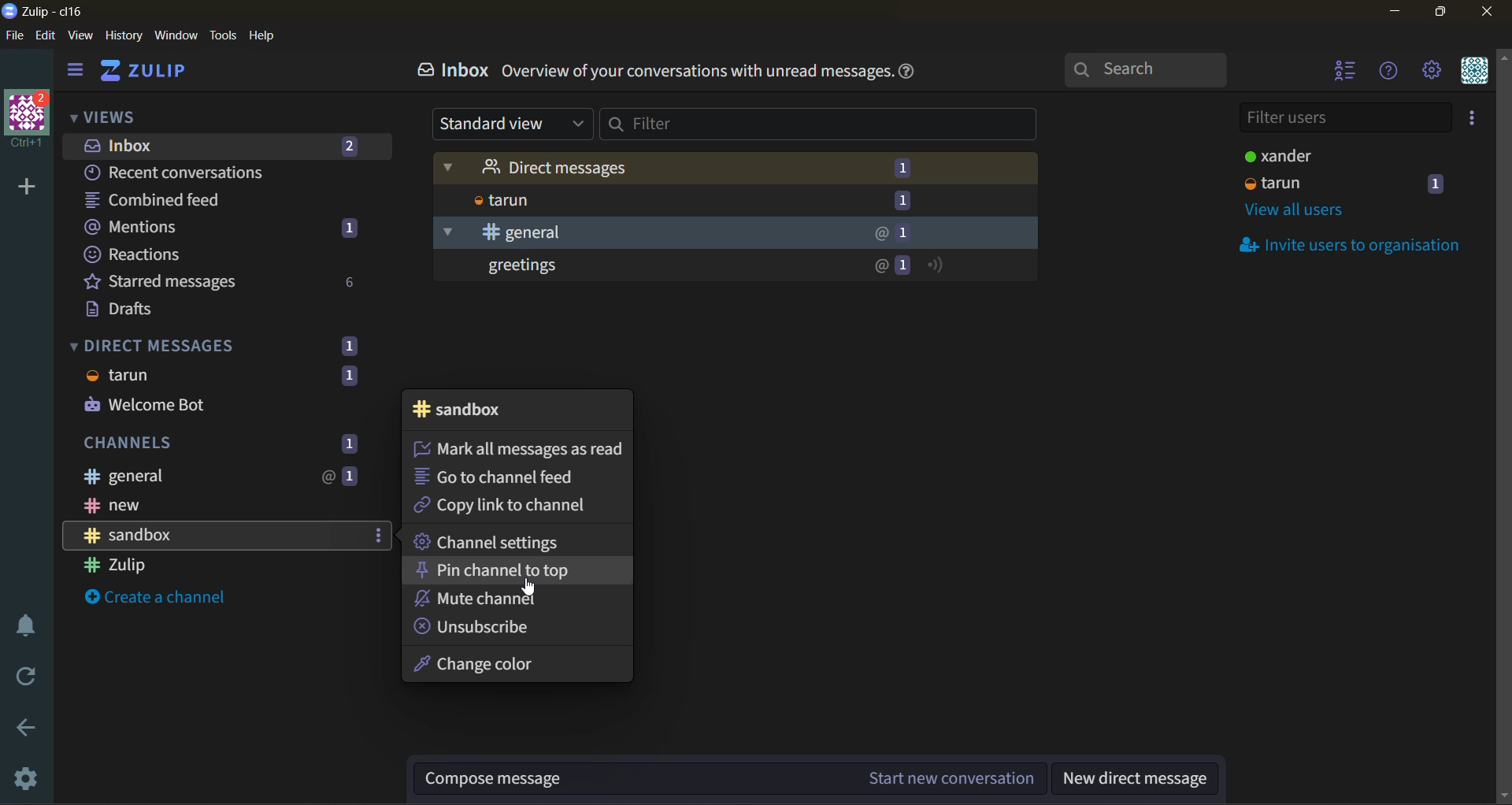 This screenshot has width=1512, height=805. I want to click on help menu, so click(1388, 72).